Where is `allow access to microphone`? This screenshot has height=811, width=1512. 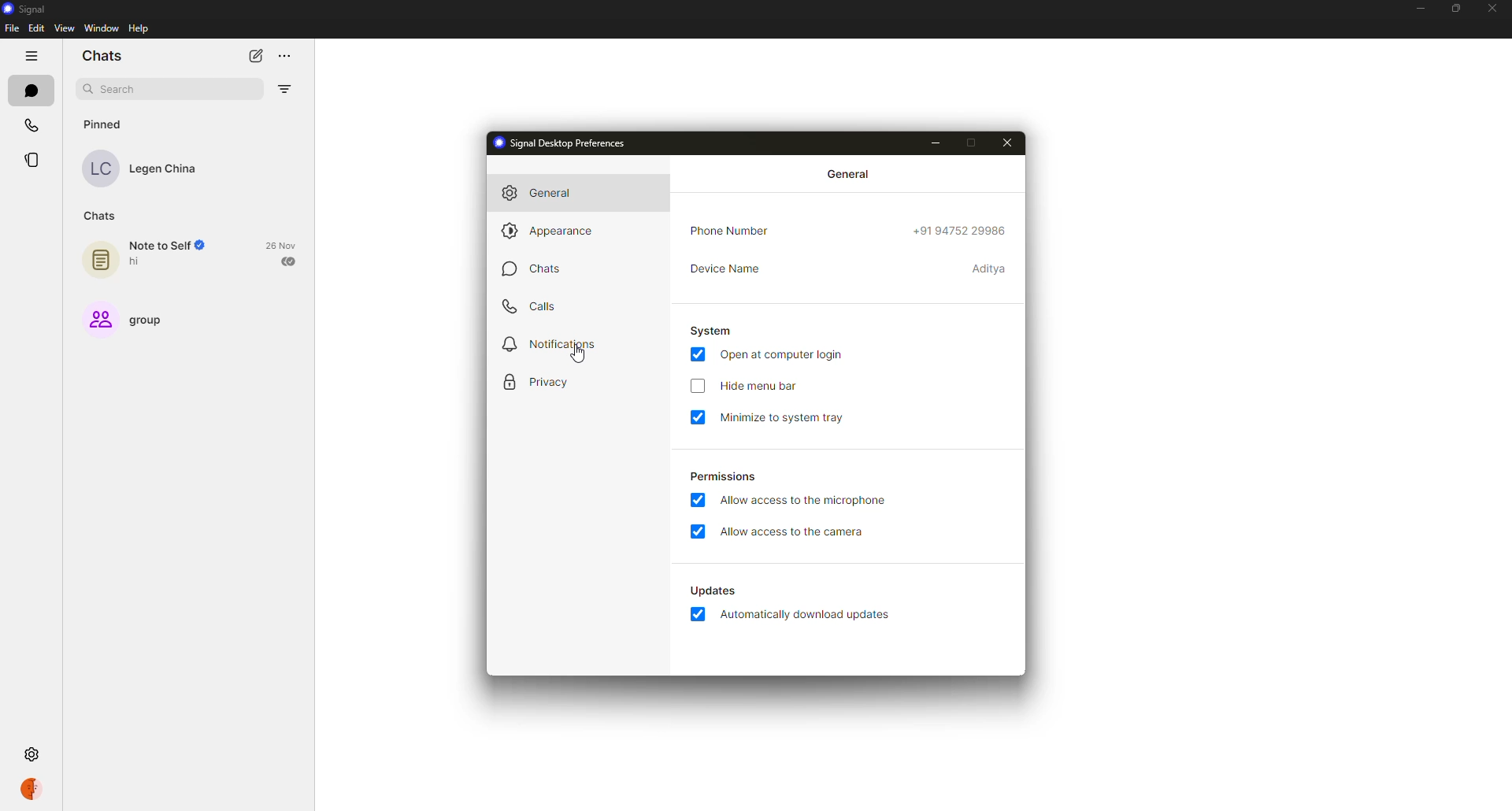 allow access to microphone is located at coordinates (809, 501).